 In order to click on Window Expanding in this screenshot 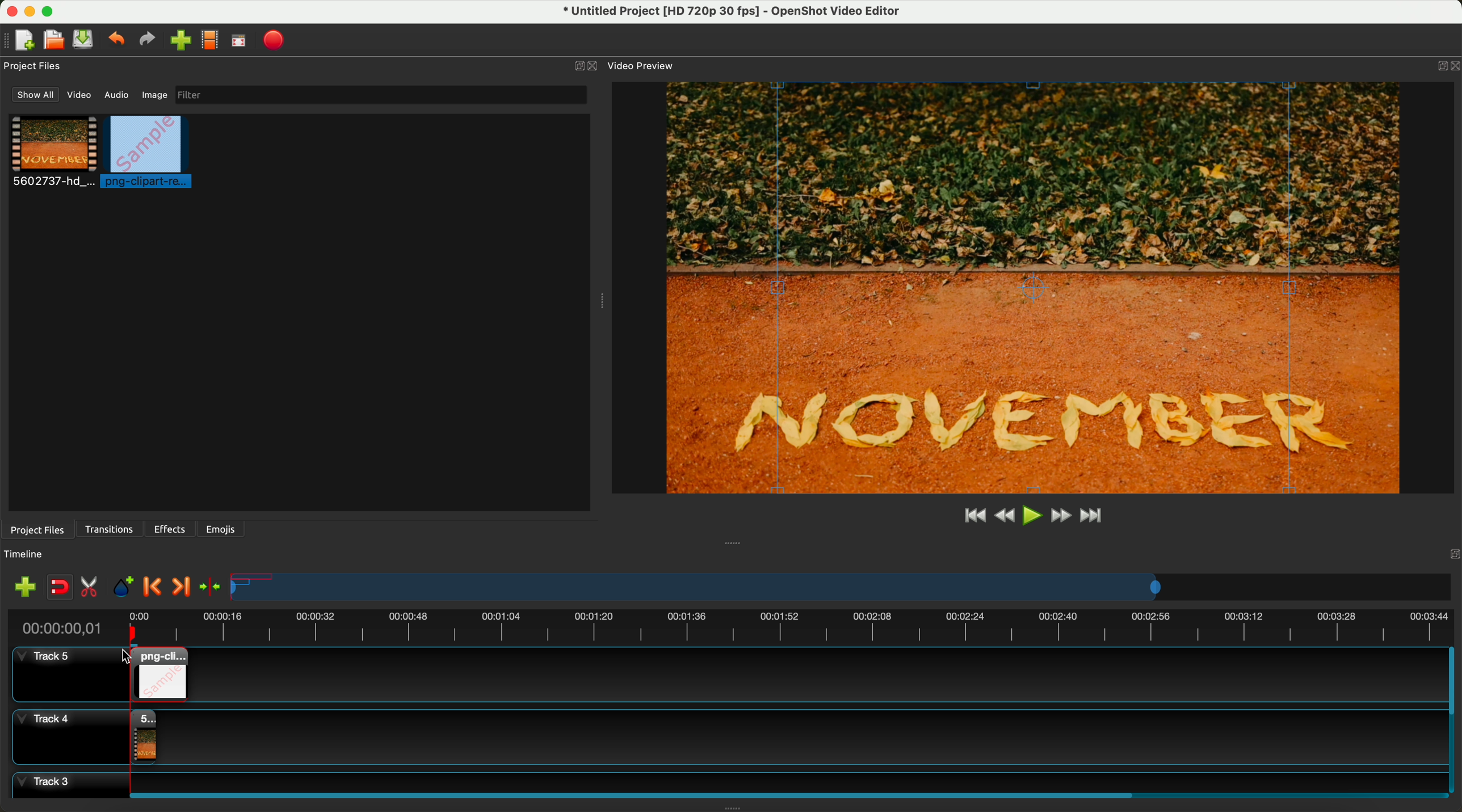, I will do `click(733, 808)`.